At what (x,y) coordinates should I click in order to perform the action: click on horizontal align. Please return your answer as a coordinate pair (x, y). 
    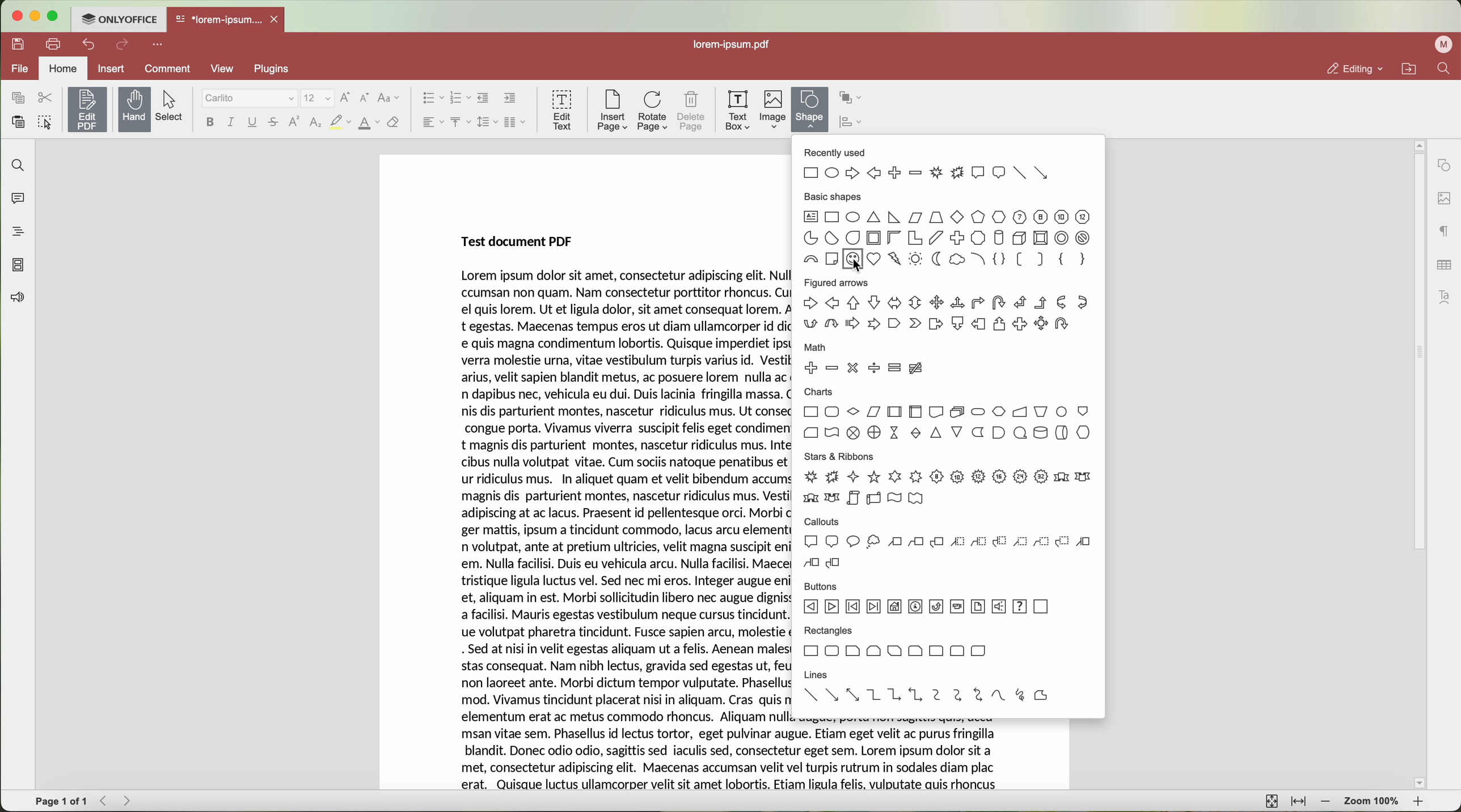
    Looking at the image, I should click on (430, 122).